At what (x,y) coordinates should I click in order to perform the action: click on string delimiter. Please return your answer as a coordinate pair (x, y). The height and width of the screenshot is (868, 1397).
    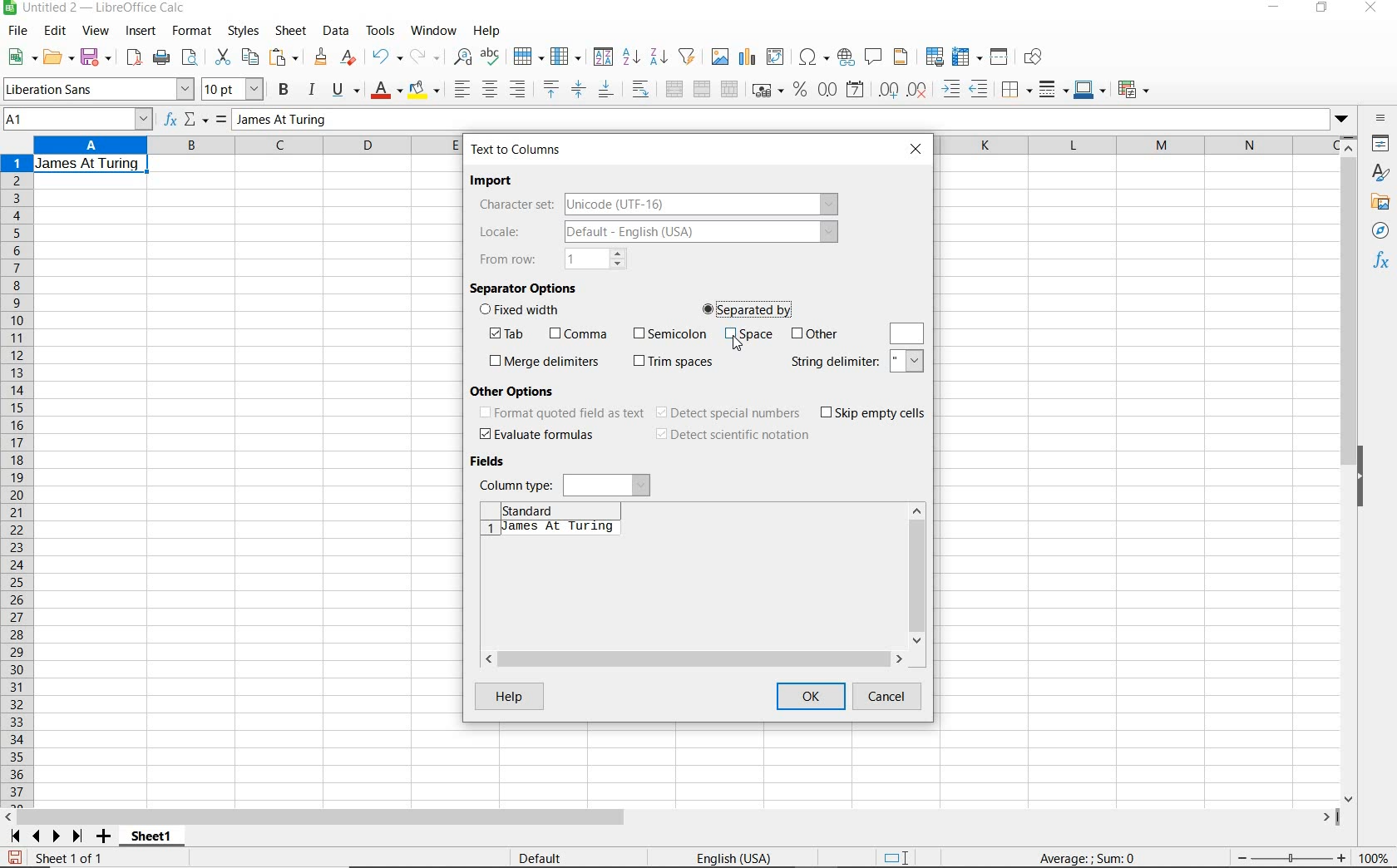
    Looking at the image, I should click on (857, 362).